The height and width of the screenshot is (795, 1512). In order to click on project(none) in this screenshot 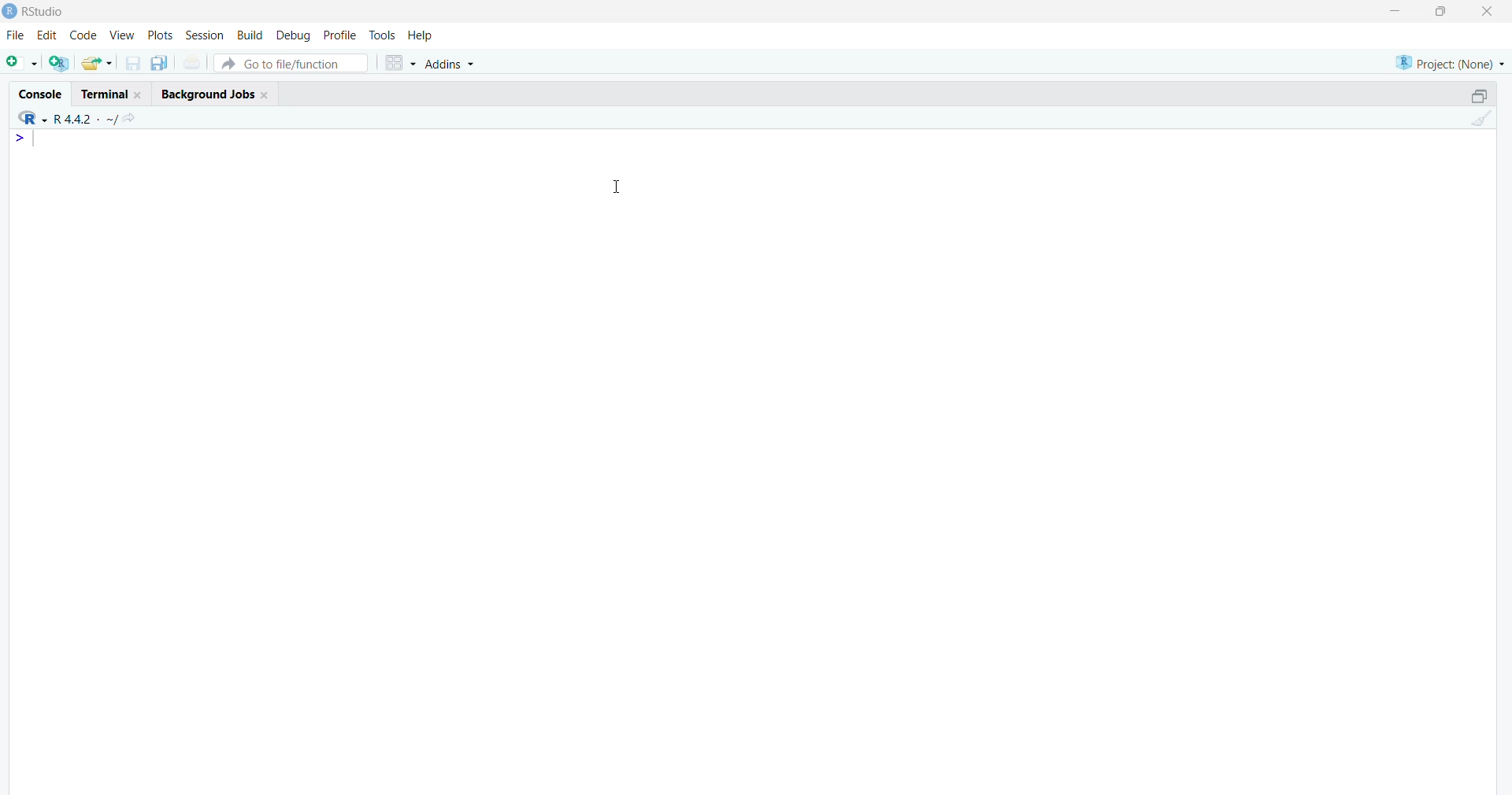, I will do `click(1447, 61)`.